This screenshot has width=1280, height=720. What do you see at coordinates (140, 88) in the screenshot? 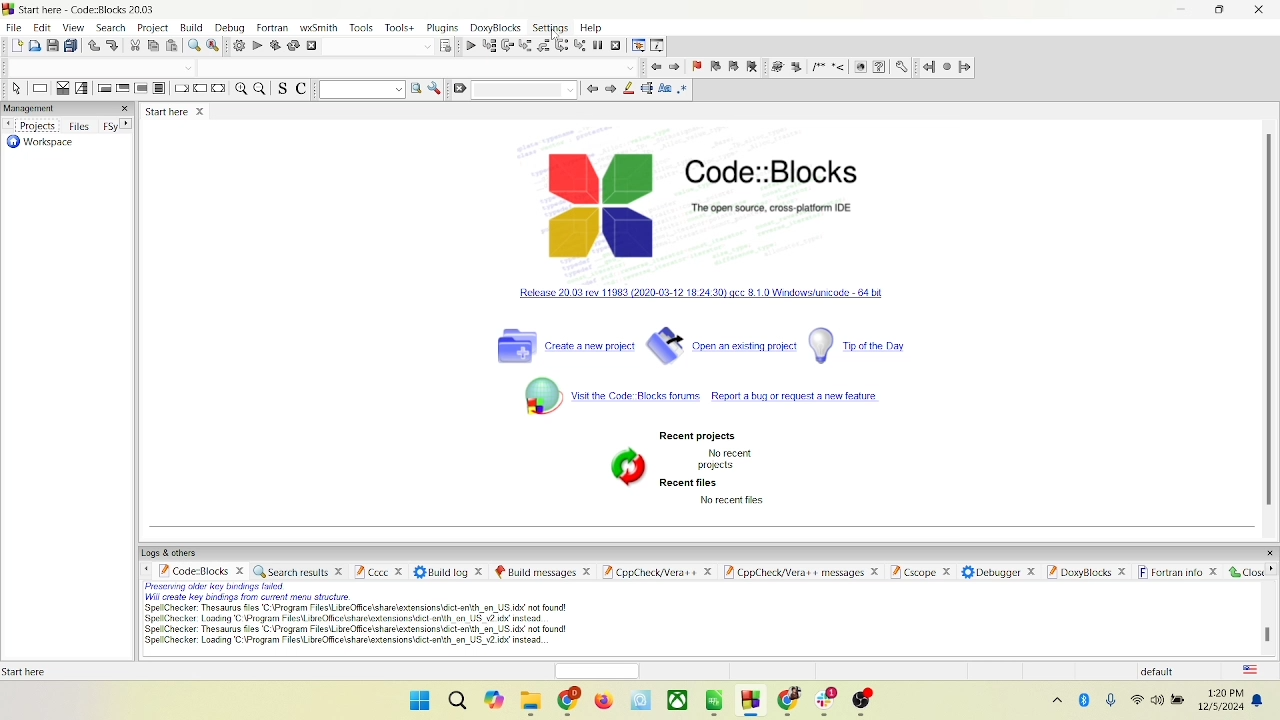
I see `counting loop` at bounding box center [140, 88].